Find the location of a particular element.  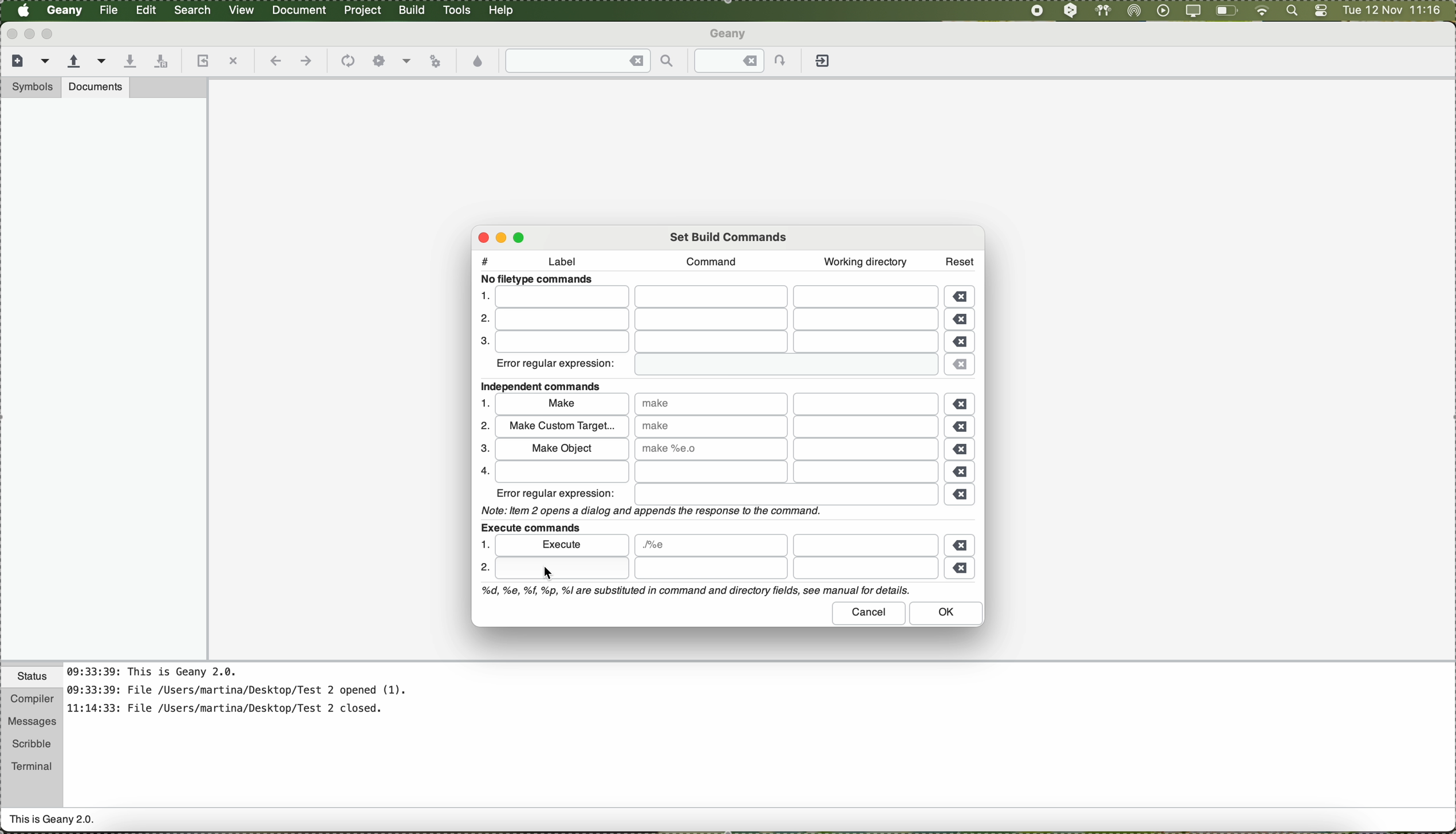

2 is located at coordinates (480, 320).